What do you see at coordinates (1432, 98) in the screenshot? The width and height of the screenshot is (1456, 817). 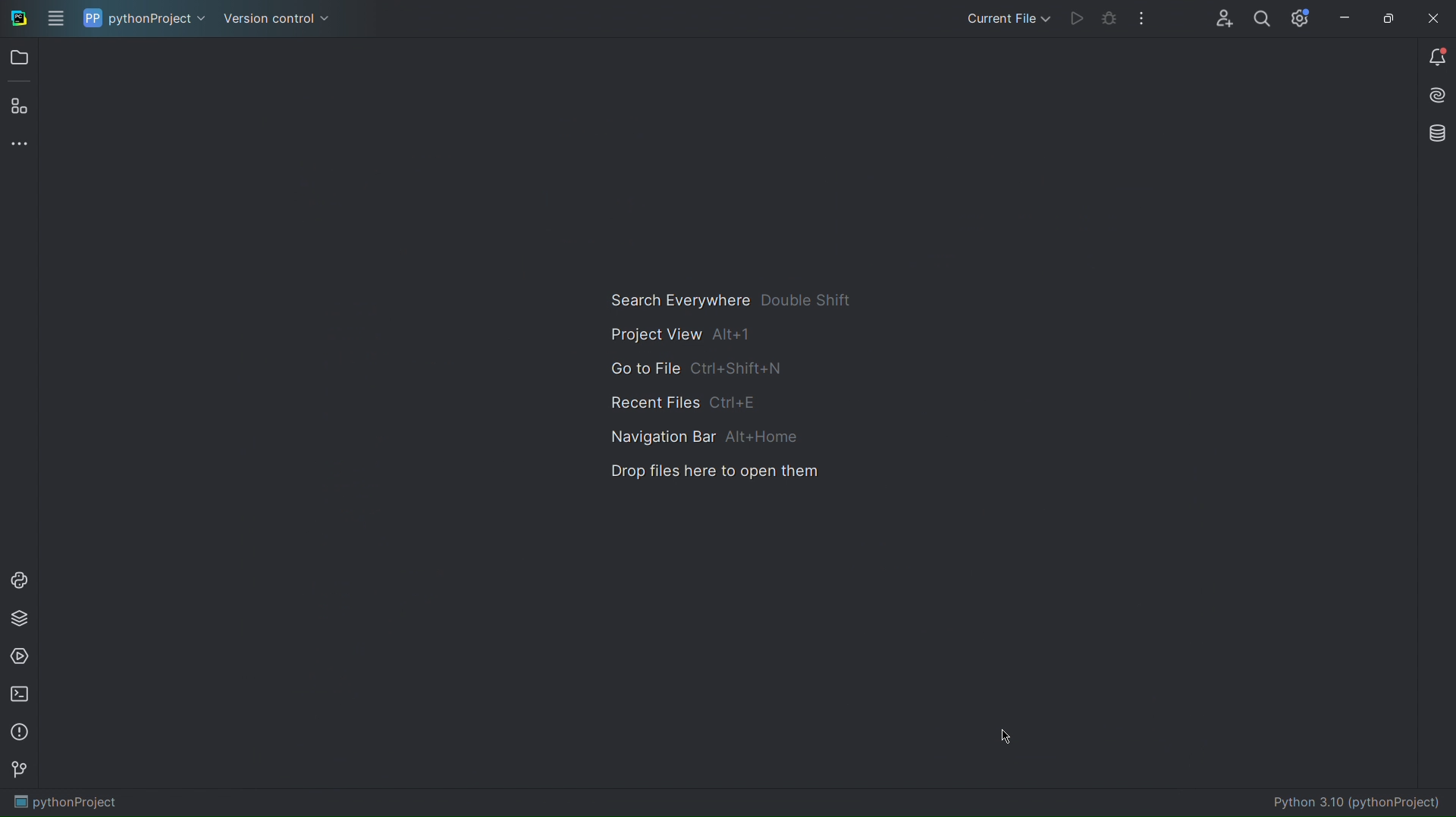 I see `Install AI Assistant` at bounding box center [1432, 98].